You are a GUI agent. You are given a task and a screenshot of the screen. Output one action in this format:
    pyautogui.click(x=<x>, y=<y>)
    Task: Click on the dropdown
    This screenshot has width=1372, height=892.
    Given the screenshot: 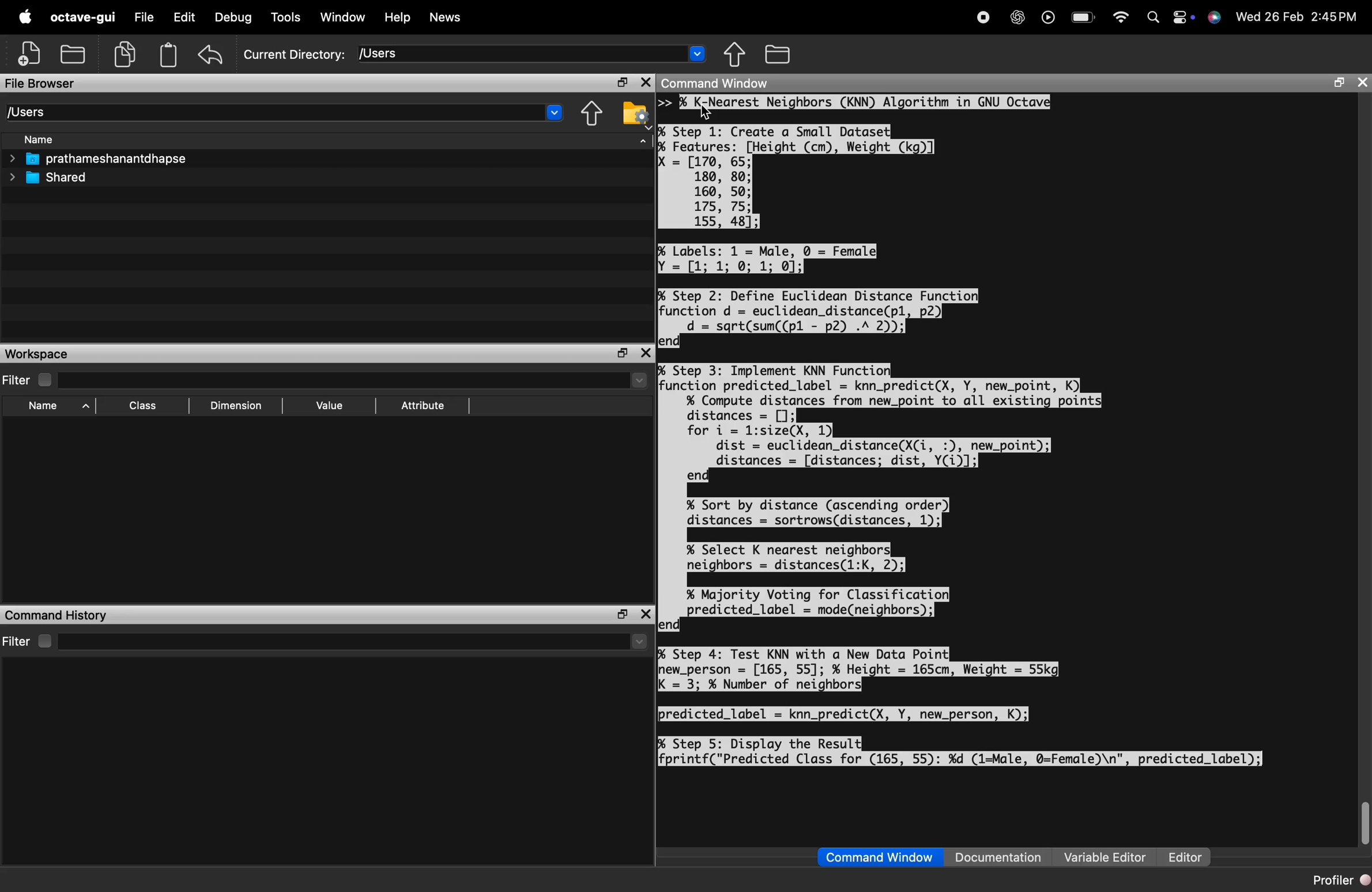 What is the action you would take?
    pyautogui.click(x=698, y=56)
    